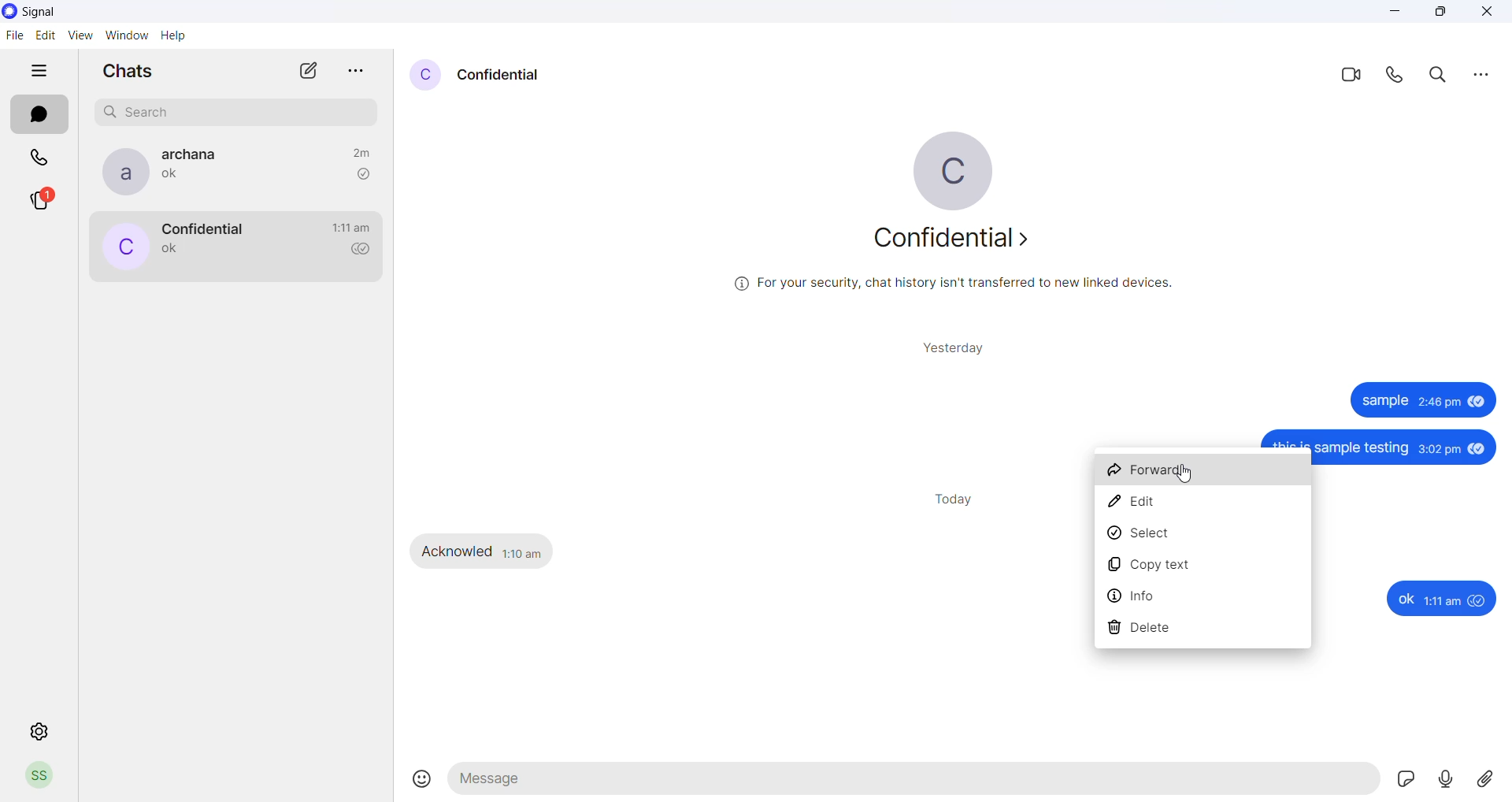  I want to click on close, so click(1487, 13).